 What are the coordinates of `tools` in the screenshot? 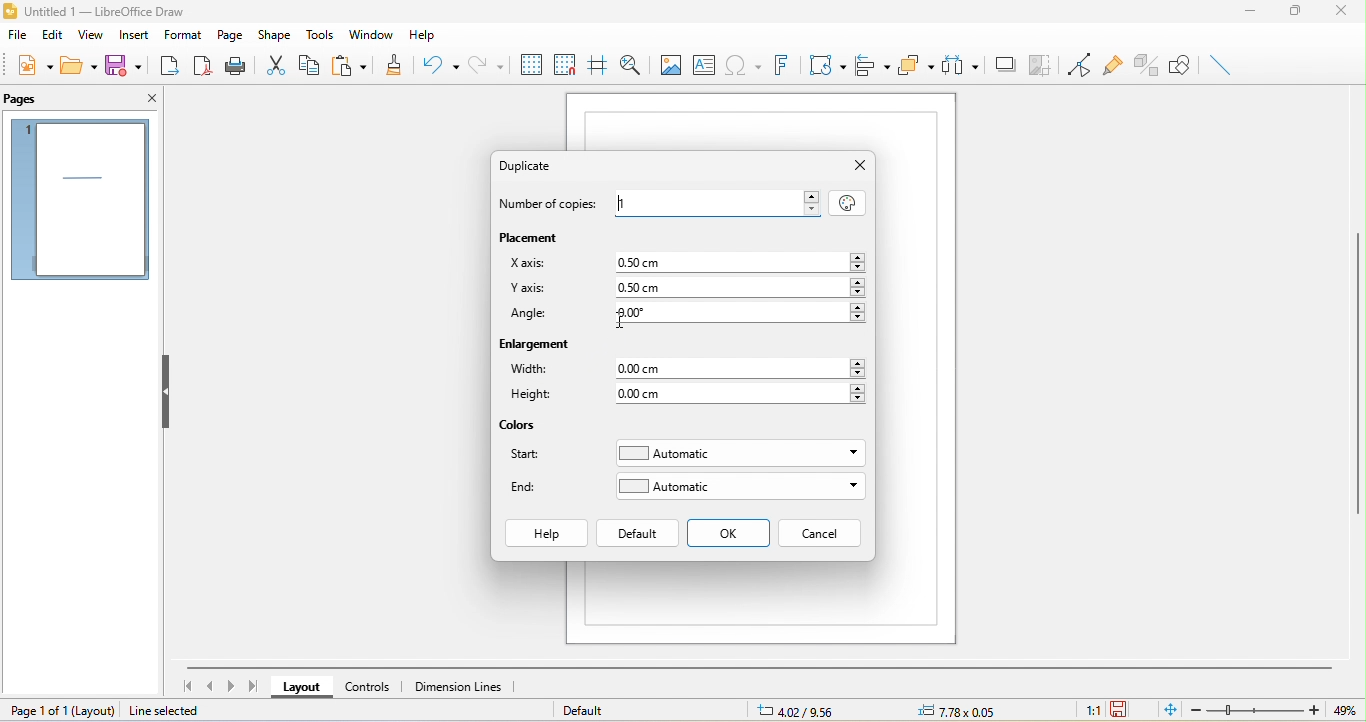 It's located at (322, 35).